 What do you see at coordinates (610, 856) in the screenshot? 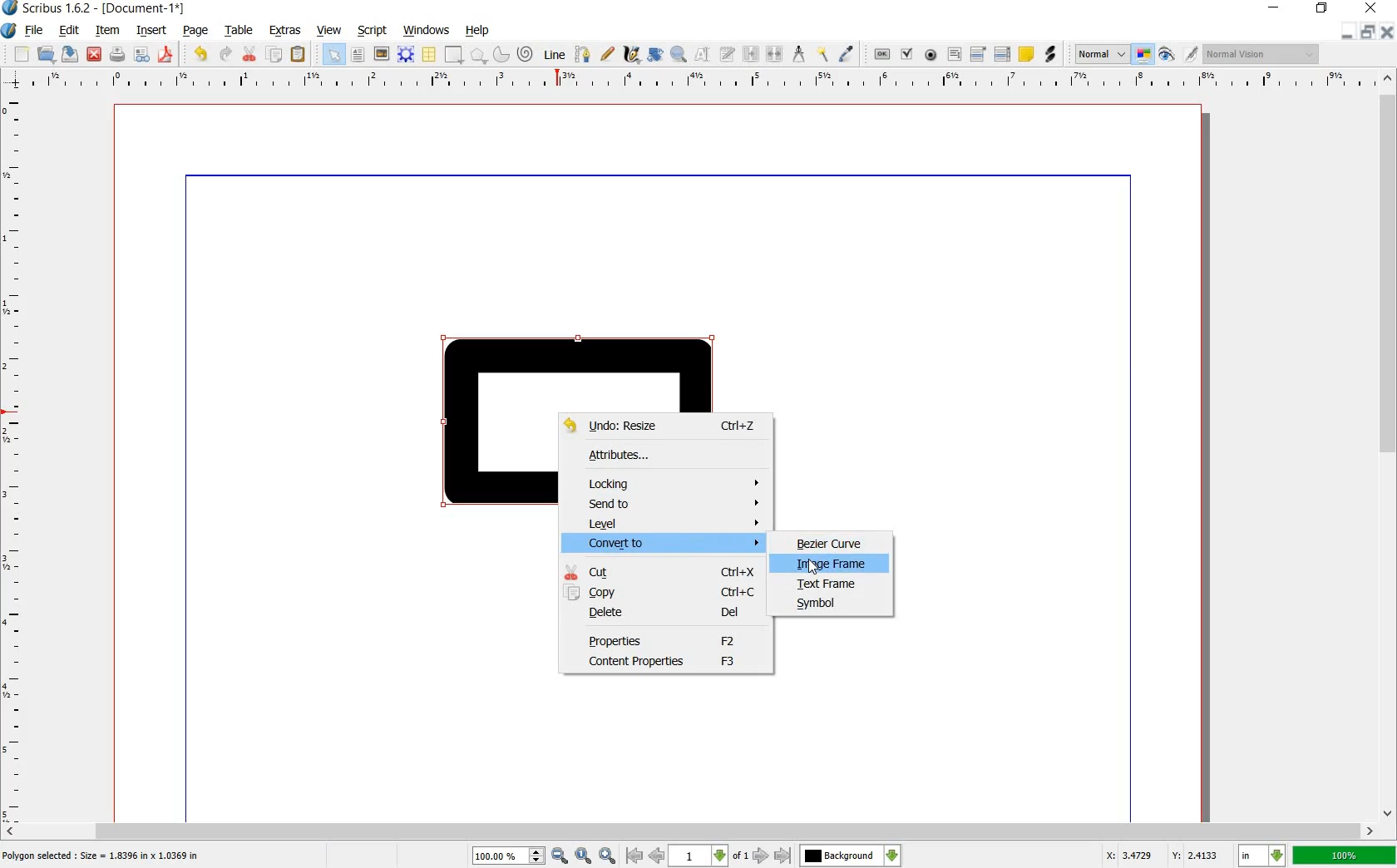
I see `Zoom out` at bounding box center [610, 856].